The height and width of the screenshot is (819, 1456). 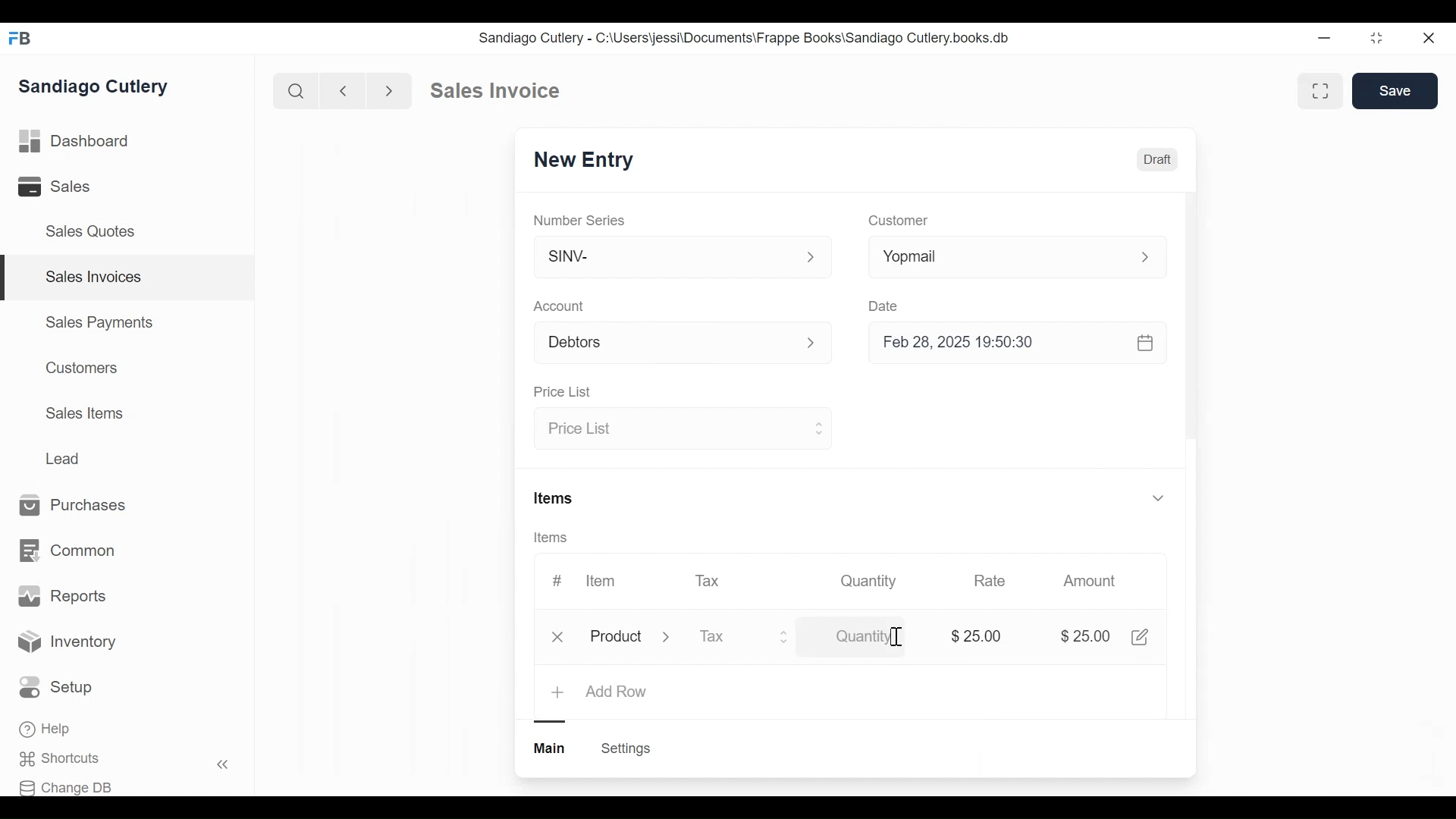 I want to click on scrollbar, so click(x=1191, y=321).